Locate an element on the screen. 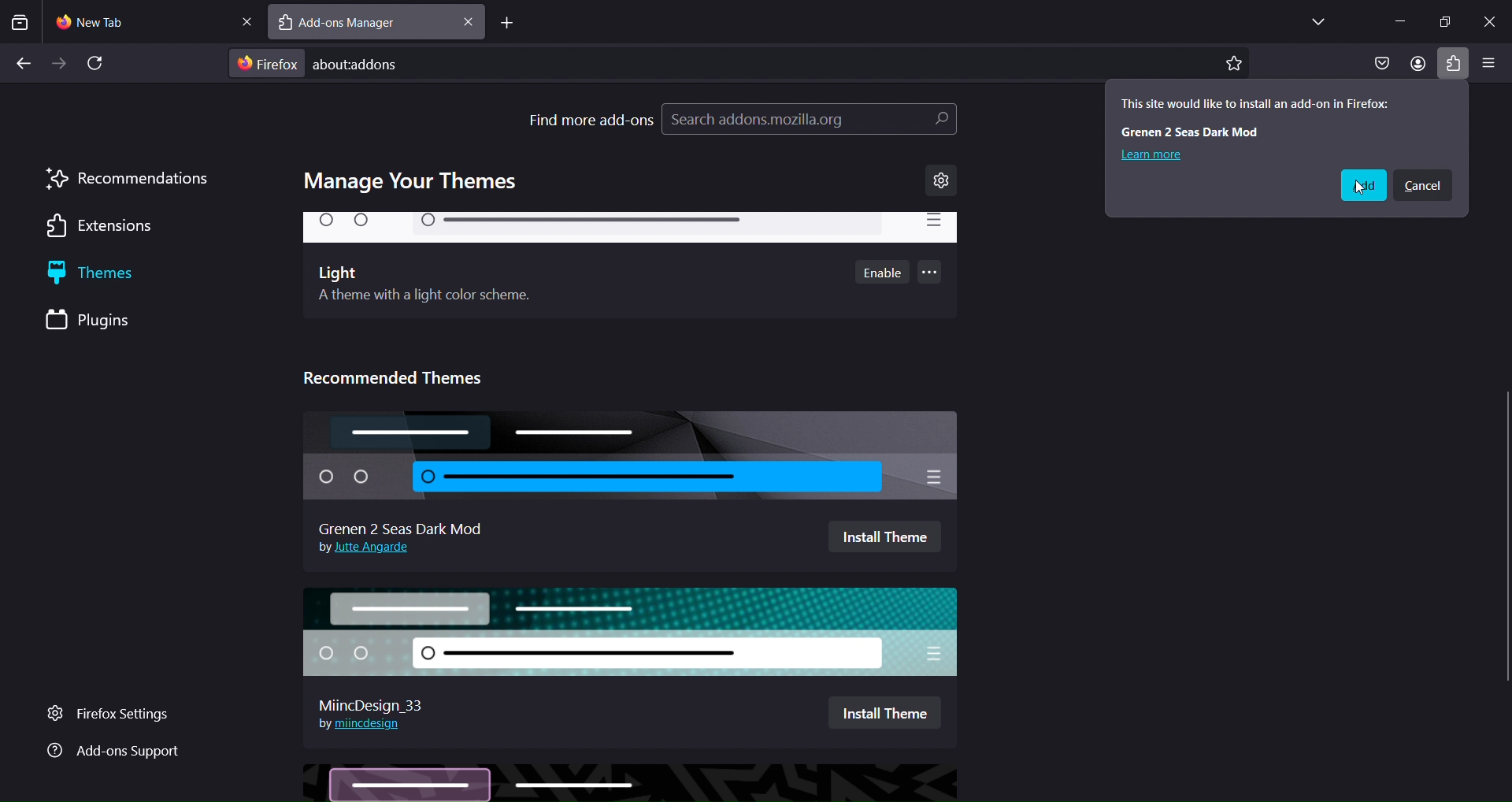 The width and height of the screenshot is (1512, 802). minx design 33 is located at coordinates (379, 700).